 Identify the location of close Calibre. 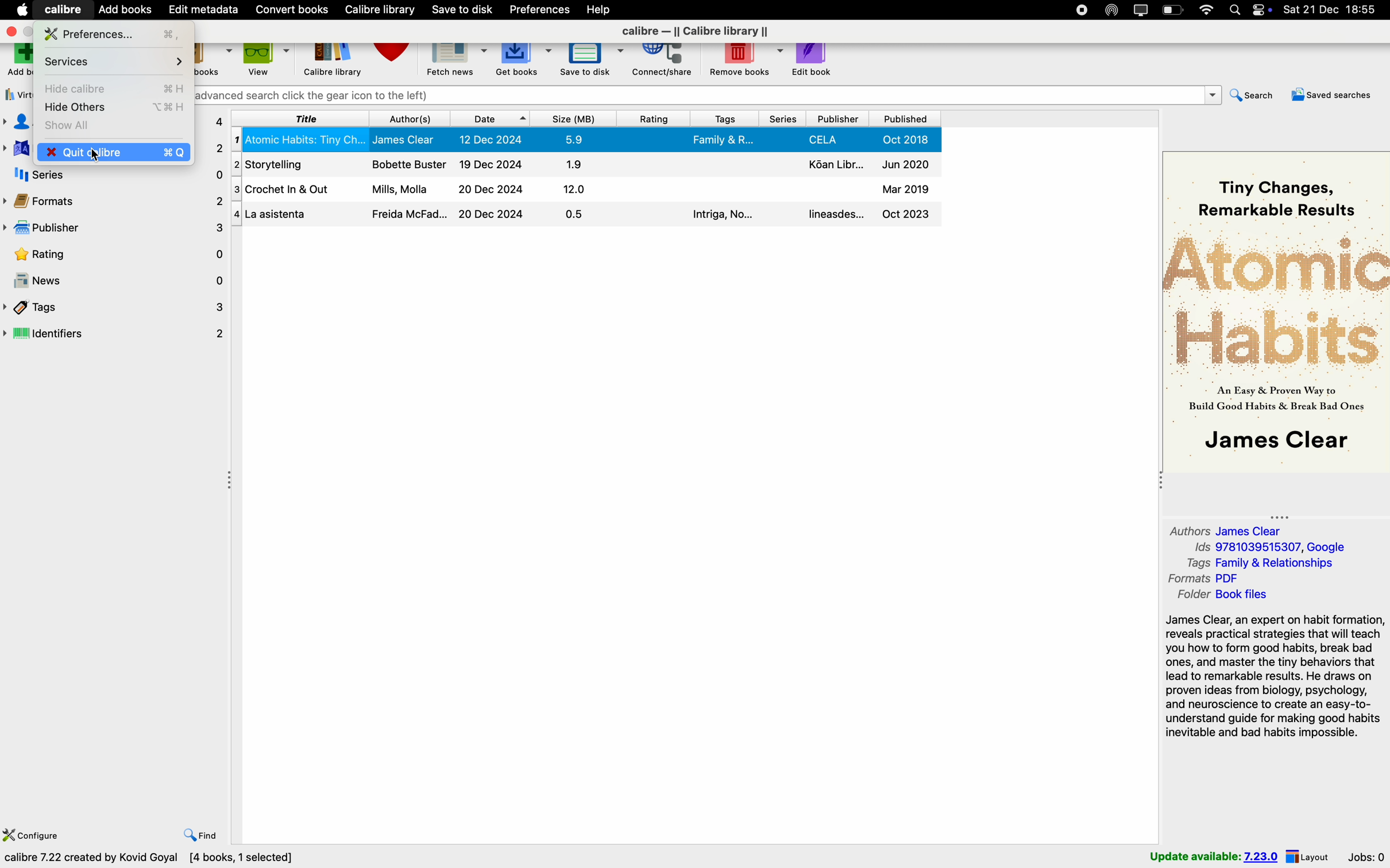
(10, 31).